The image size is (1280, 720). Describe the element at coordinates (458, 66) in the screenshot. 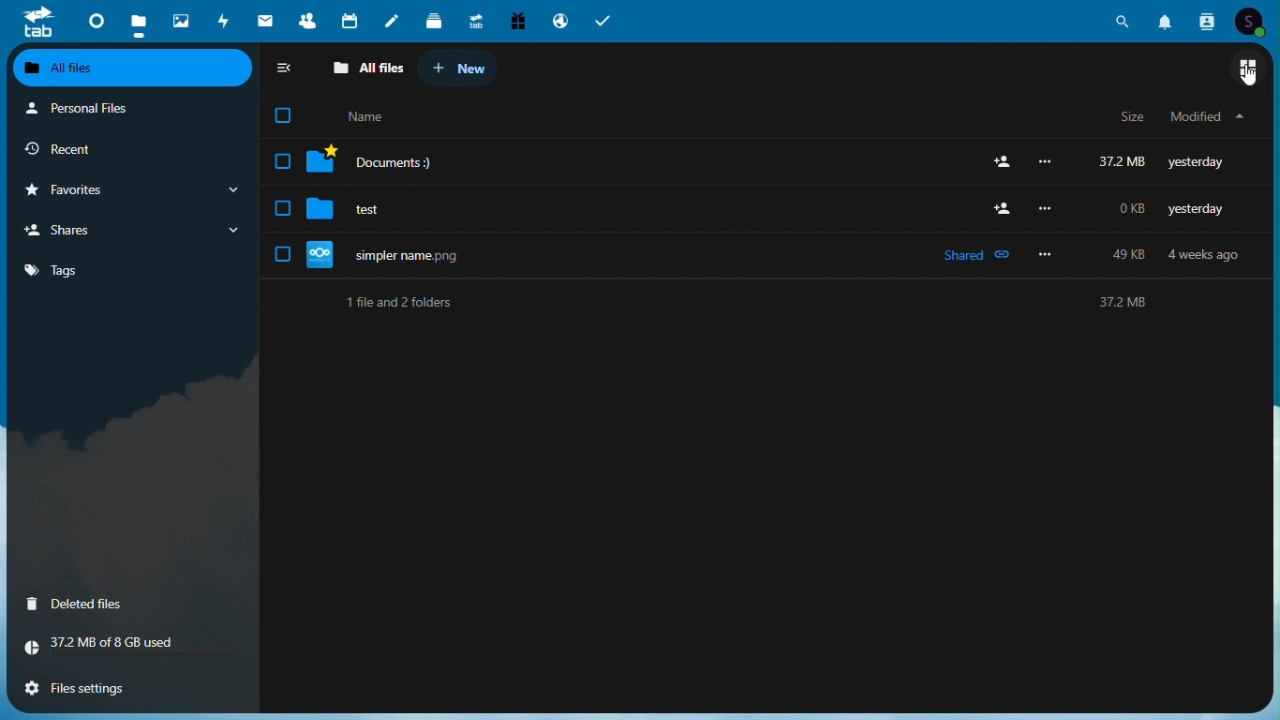

I see `New` at that location.